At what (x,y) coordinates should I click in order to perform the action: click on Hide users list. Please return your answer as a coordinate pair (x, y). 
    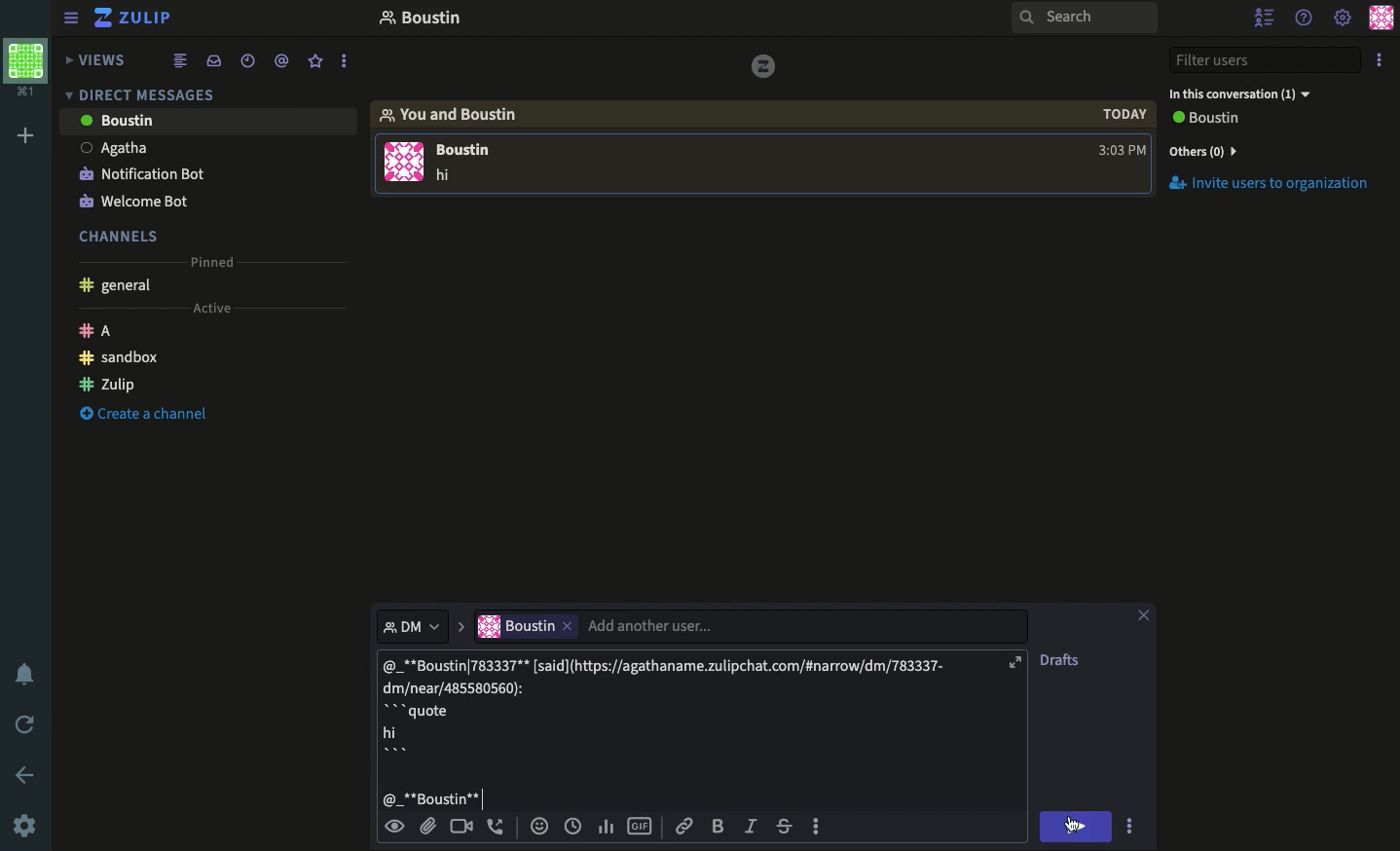
    Looking at the image, I should click on (1266, 17).